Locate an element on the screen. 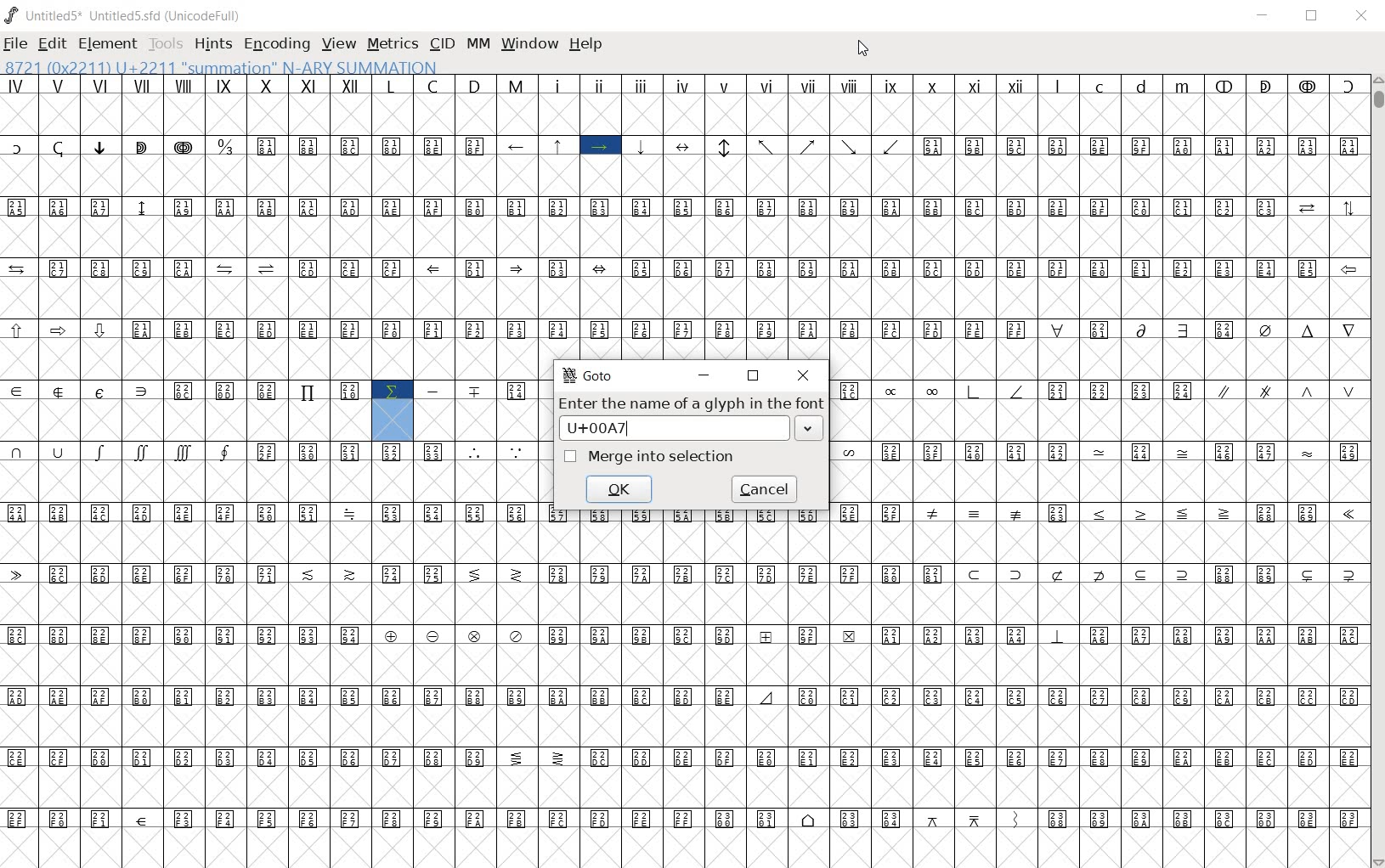 The width and height of the screenshot is (1385, 868). special symbols is located at coordinates (687, 330).